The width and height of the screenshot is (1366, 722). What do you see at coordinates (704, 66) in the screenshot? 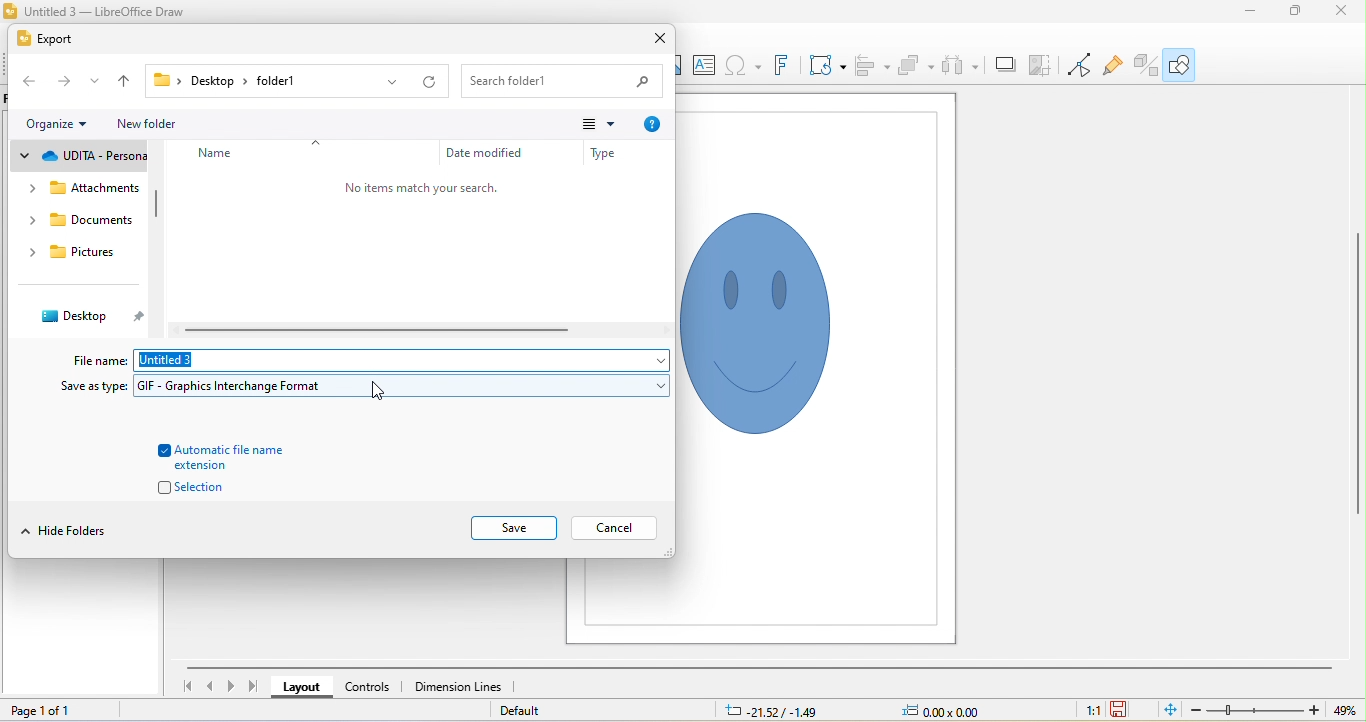
I see `textbox` at bounding box center [704, 66].